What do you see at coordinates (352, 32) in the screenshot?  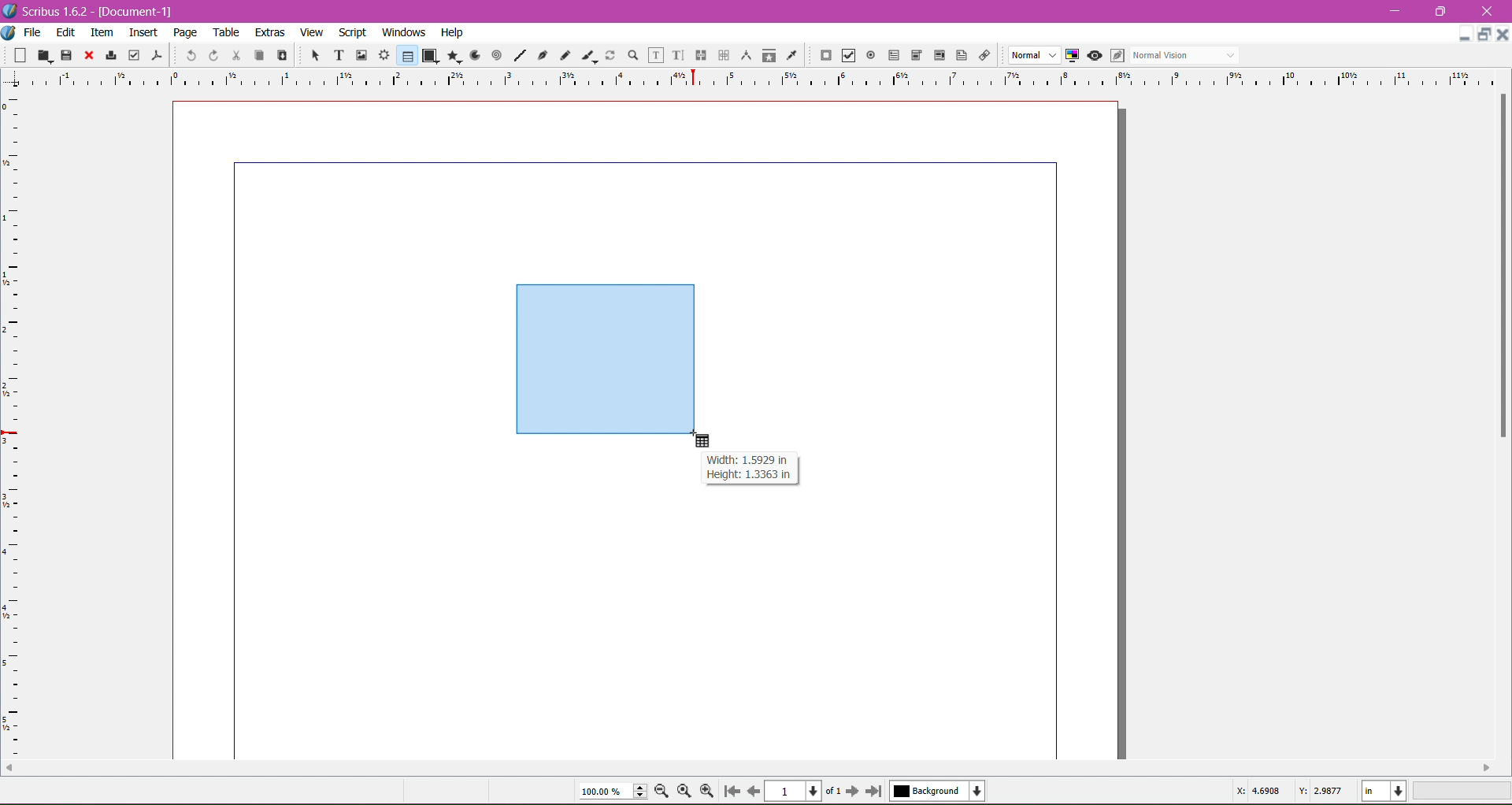 I see `` at bounding box center [352, 32].